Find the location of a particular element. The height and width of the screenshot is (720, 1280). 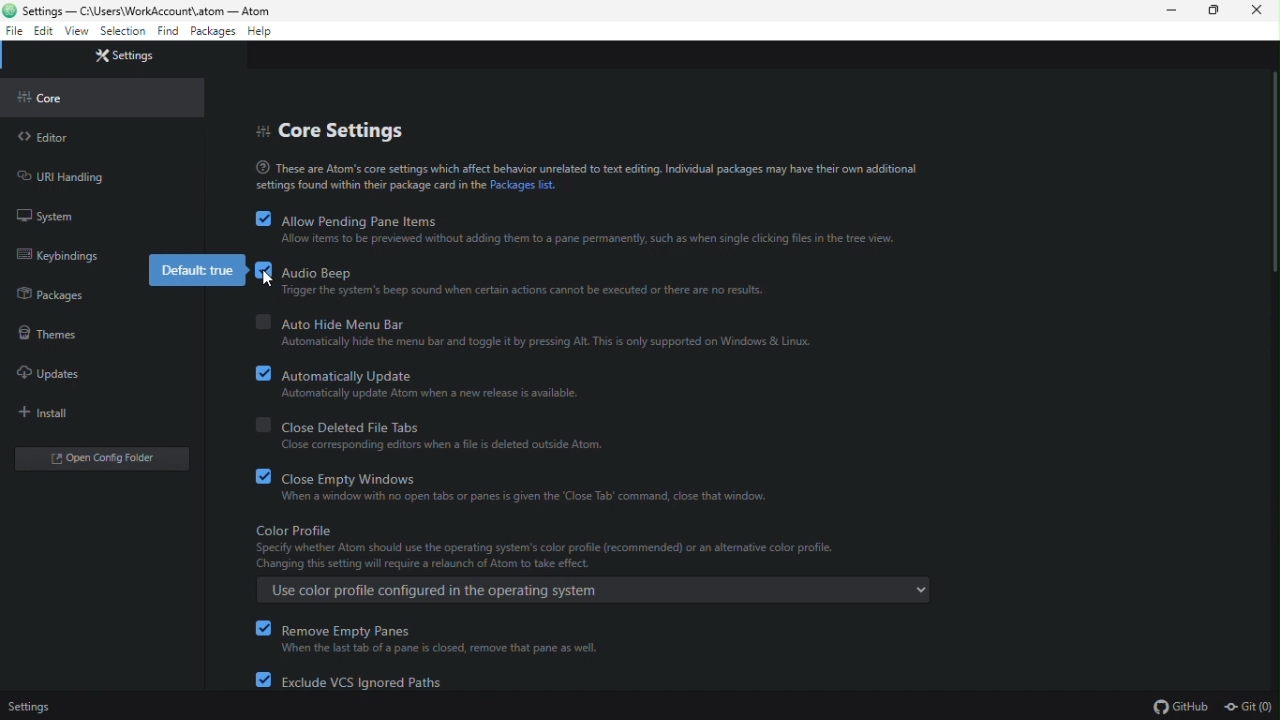

packages is located at coordinates (51, 295).